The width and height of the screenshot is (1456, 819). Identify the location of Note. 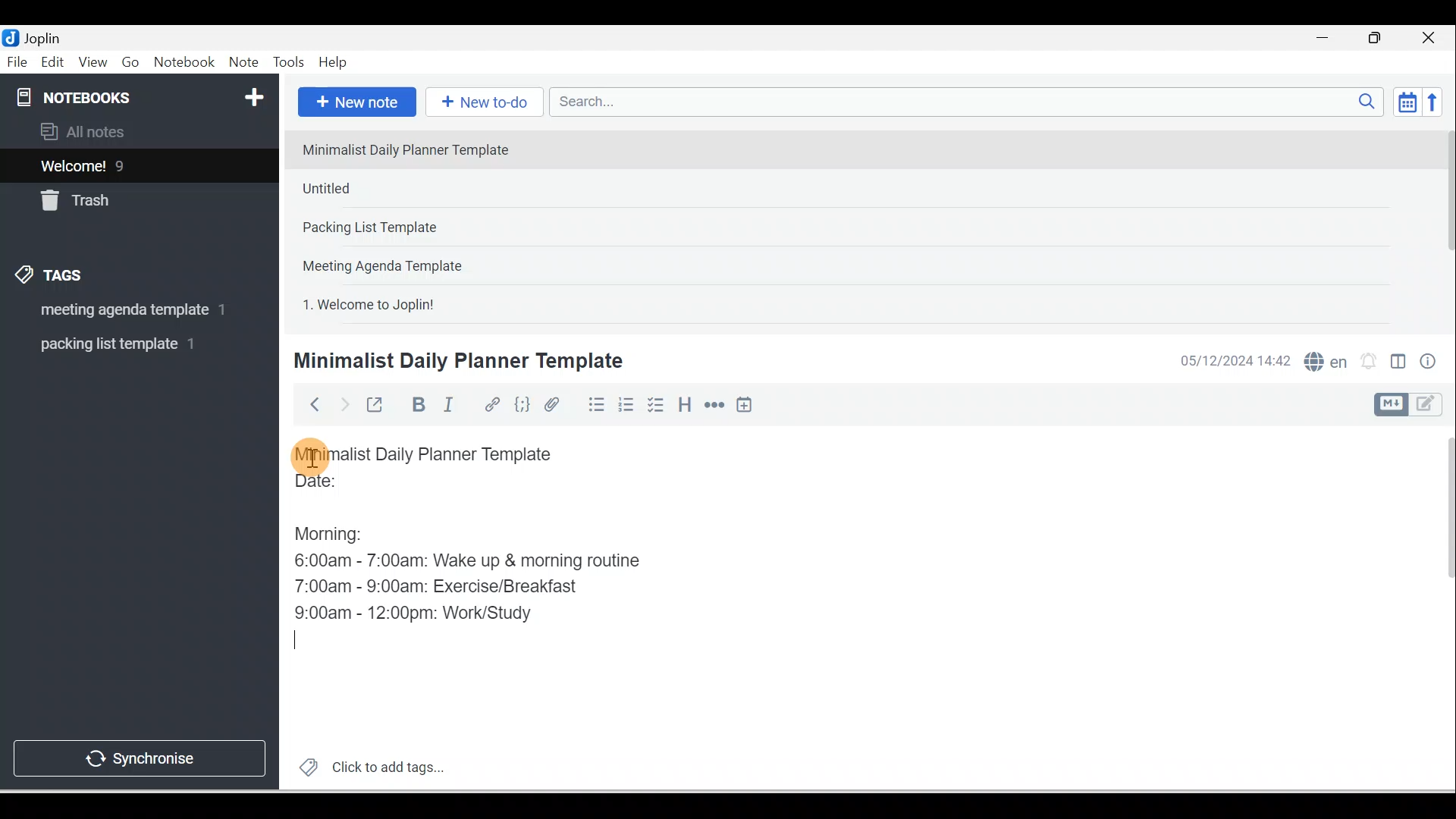
(242, 63).